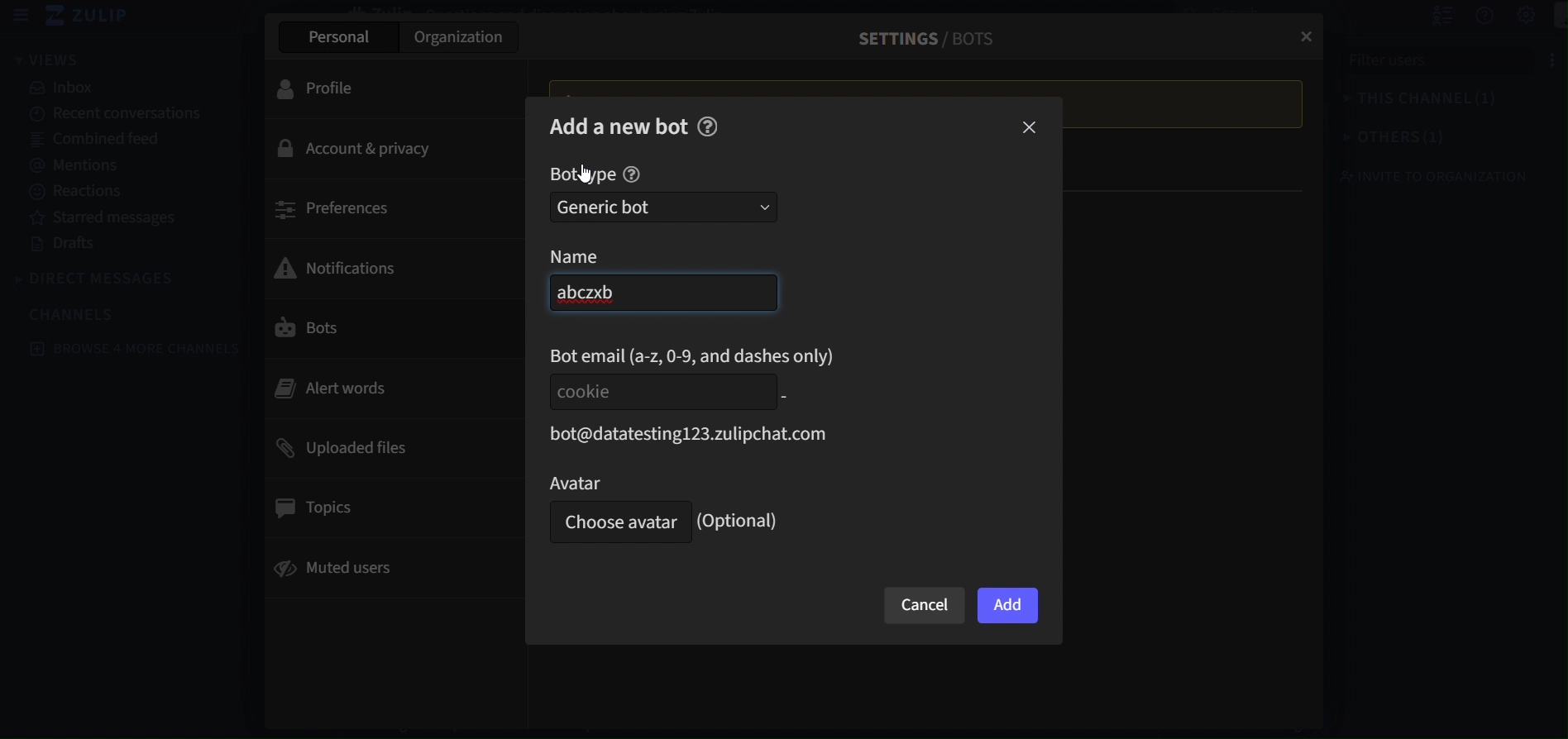 The image size is (1568, 739). Describe the element at coordinates (1509, 16) in the screenshot. I see `Settings` at that location.